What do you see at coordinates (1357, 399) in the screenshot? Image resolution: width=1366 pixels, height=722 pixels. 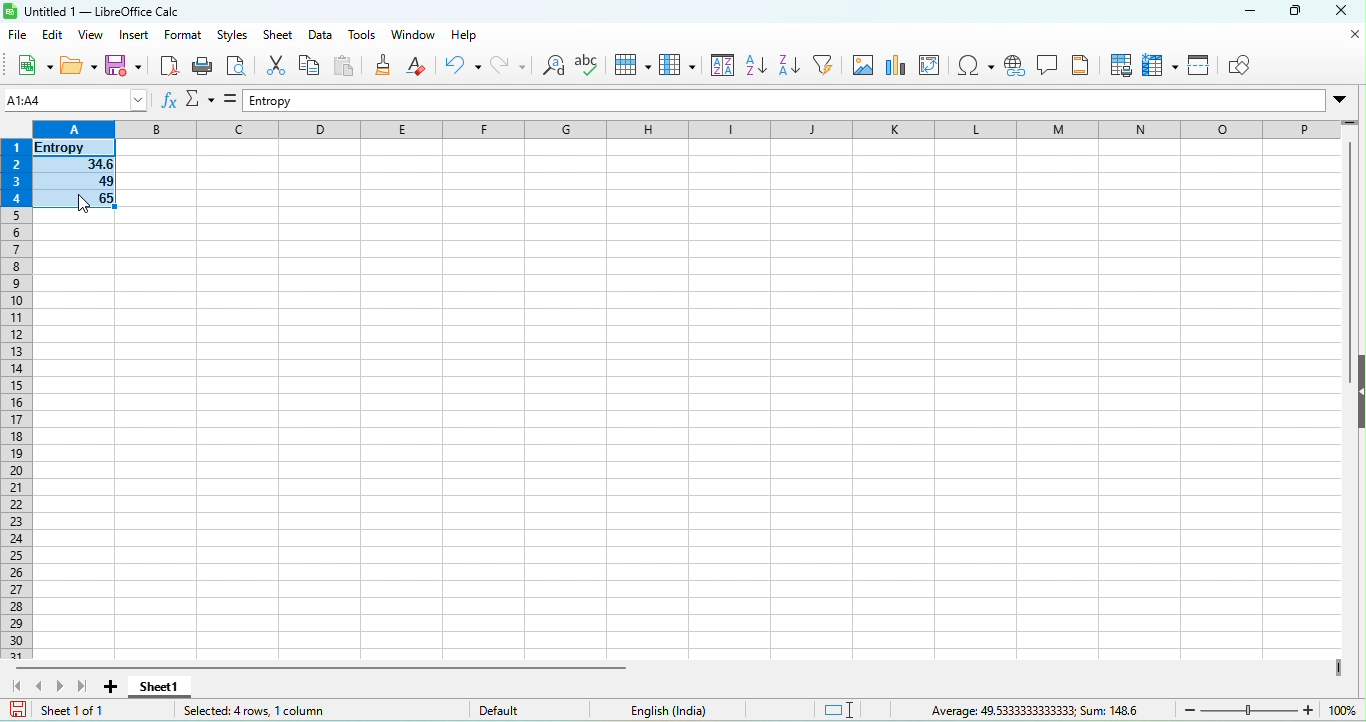 I see `height` at bounding box center [1357, 399].